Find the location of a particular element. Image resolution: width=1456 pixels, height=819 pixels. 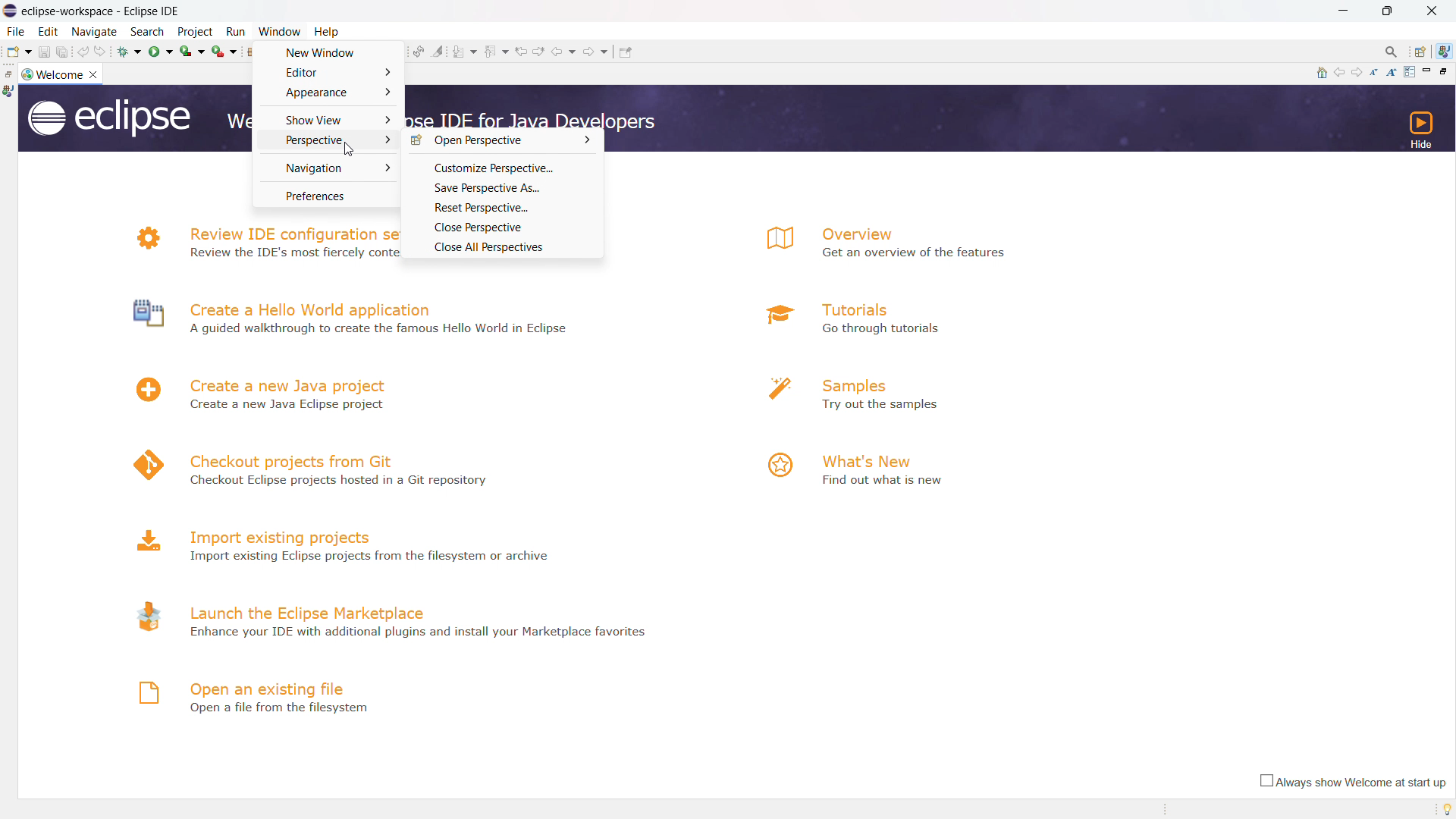

- Enhance your IDE with additional plugins and install your Marketplace favorites is located at coordinates (422, 632).